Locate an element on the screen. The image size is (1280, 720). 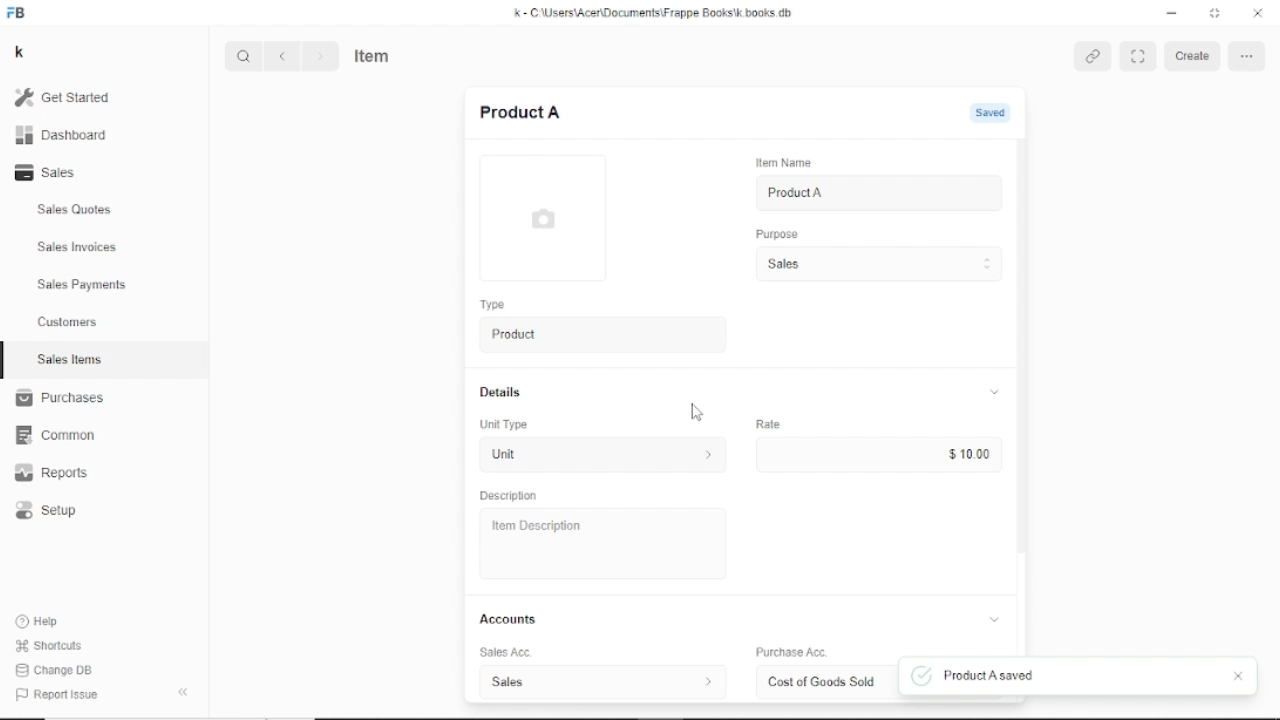
Rate is located at coordinates (768, 423).